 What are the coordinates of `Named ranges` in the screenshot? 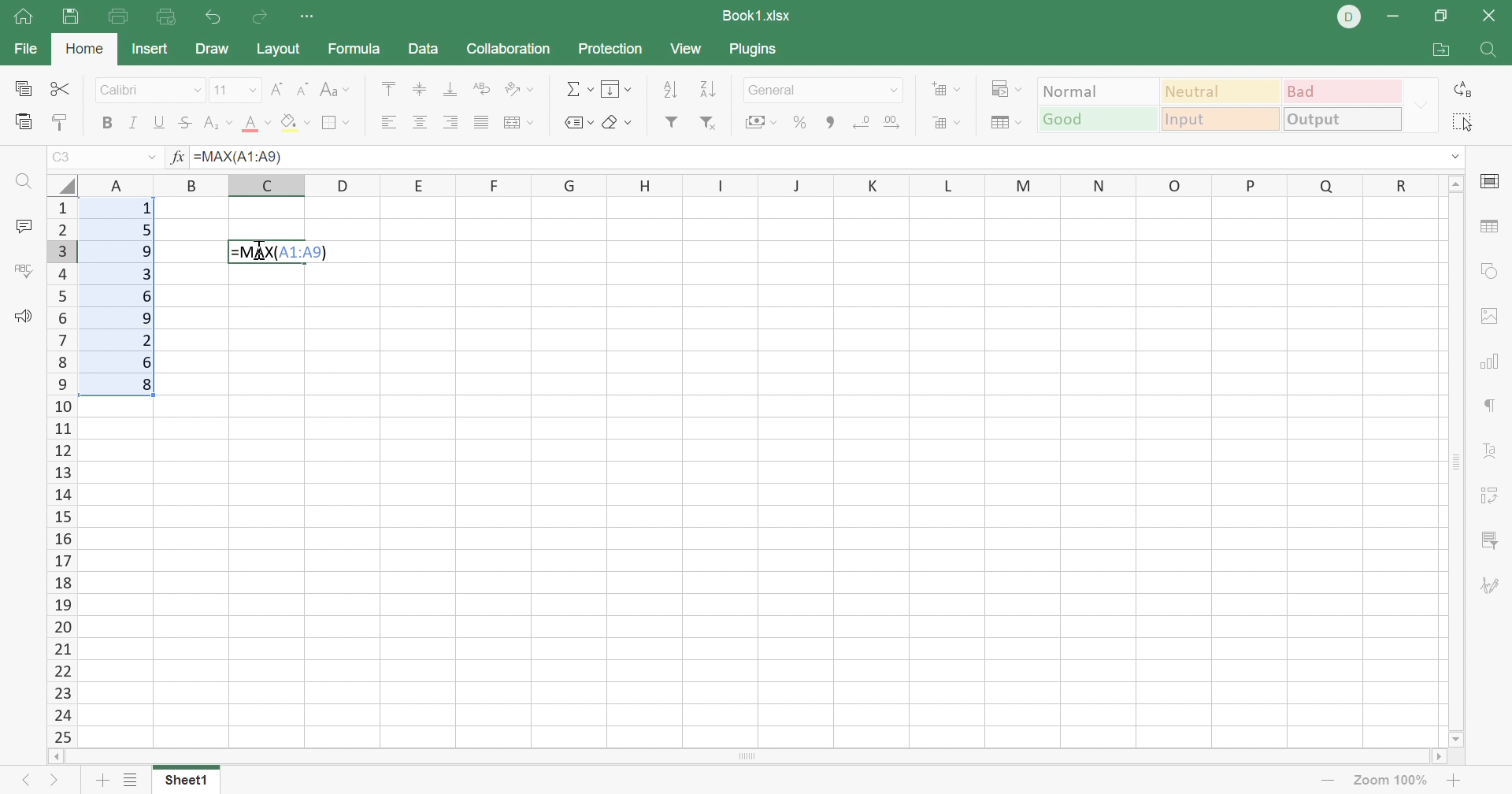 It's located at (577, 124).